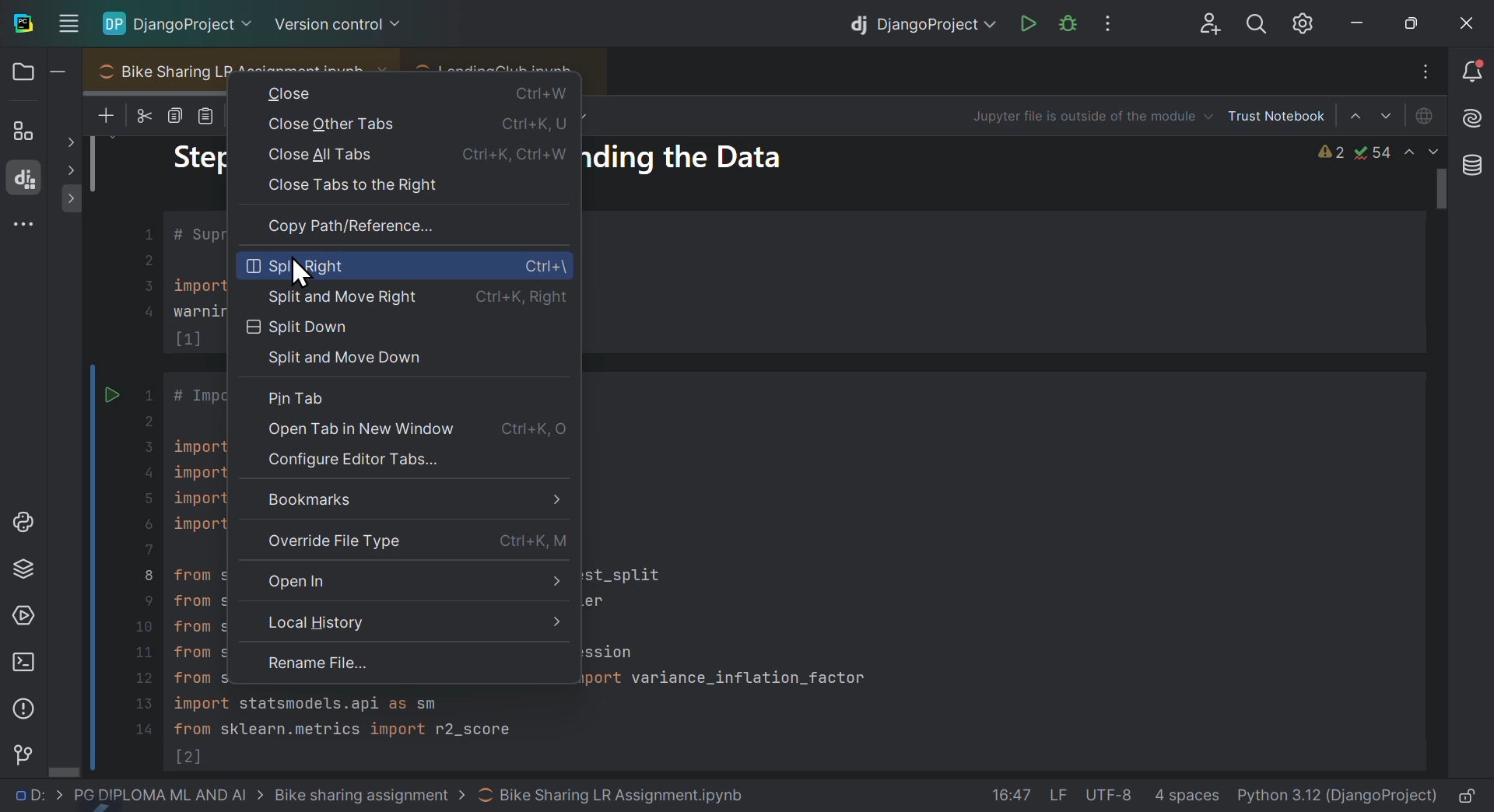  What do you see at coordinates (1338, 795) in the screenshot?
I see `interpreter` at bounding box center [1338, 795].